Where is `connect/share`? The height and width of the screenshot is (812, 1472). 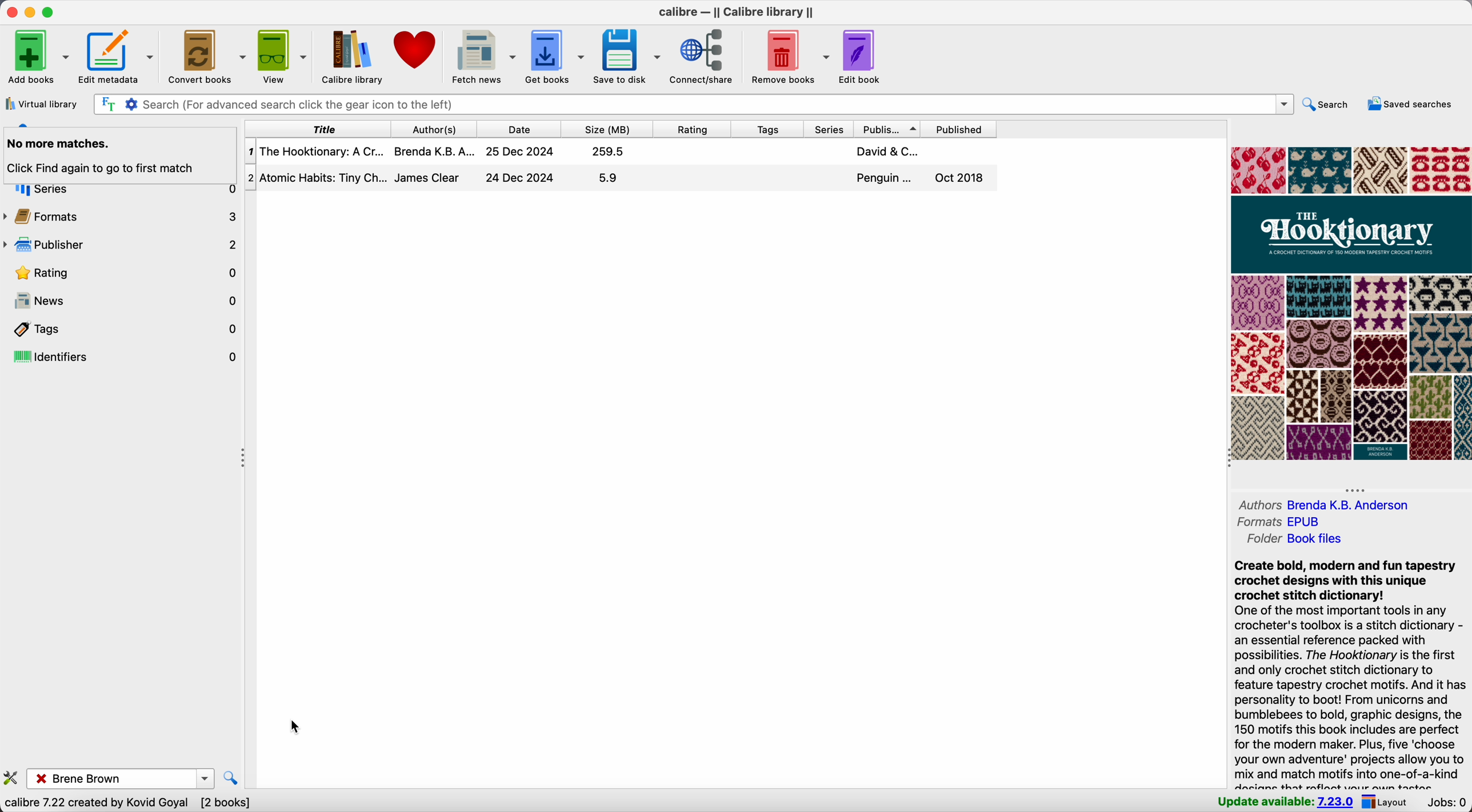 connect/share is located at coordinates (704, 58).